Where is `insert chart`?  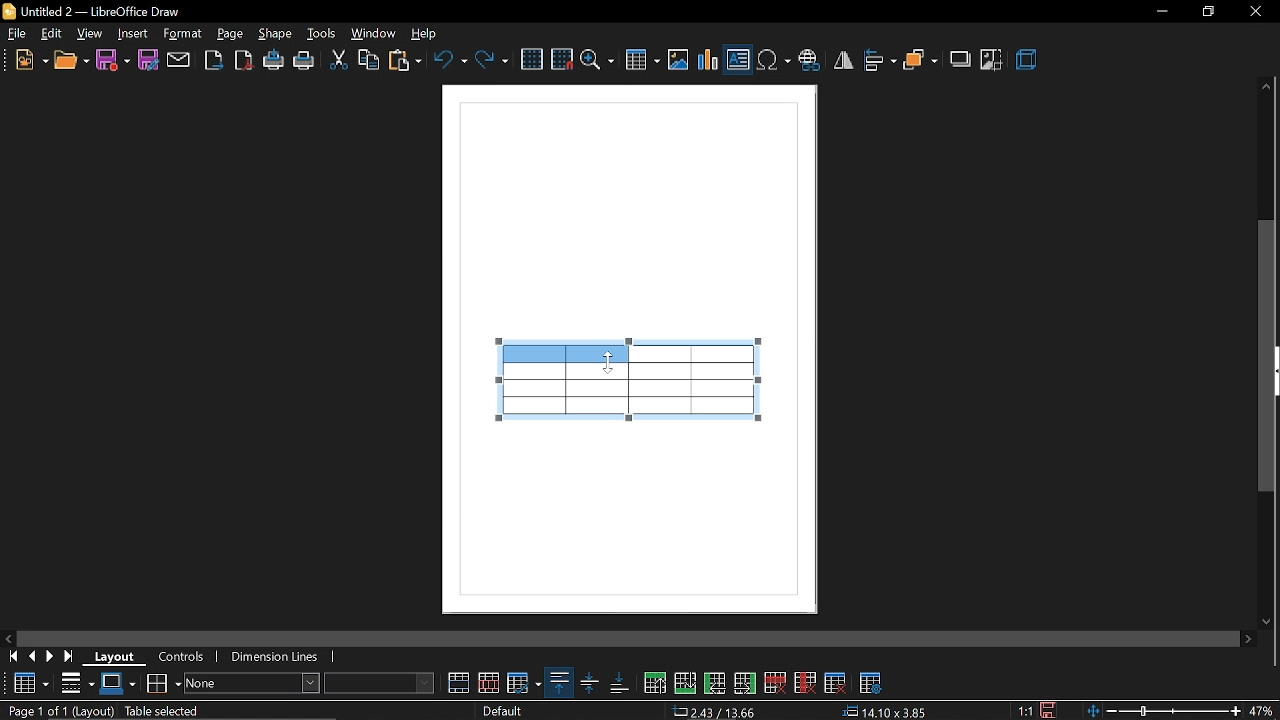 insert chart is located at coordinates (708, 58).